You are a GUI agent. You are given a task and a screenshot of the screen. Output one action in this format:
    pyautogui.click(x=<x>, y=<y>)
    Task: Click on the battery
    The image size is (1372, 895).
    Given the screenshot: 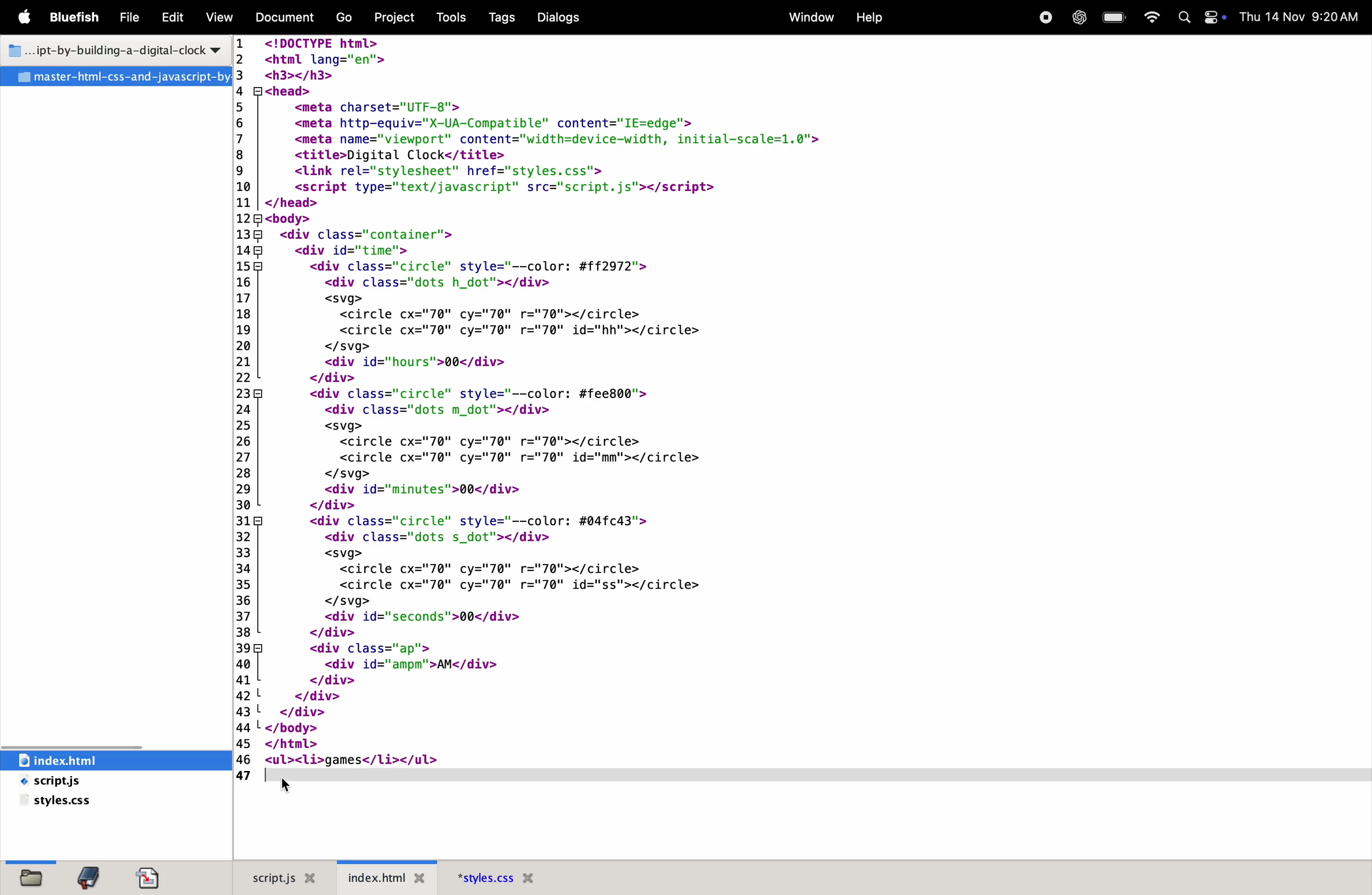 What is the action you would take?
    pyautogui.click(x=1113, y=18)
    